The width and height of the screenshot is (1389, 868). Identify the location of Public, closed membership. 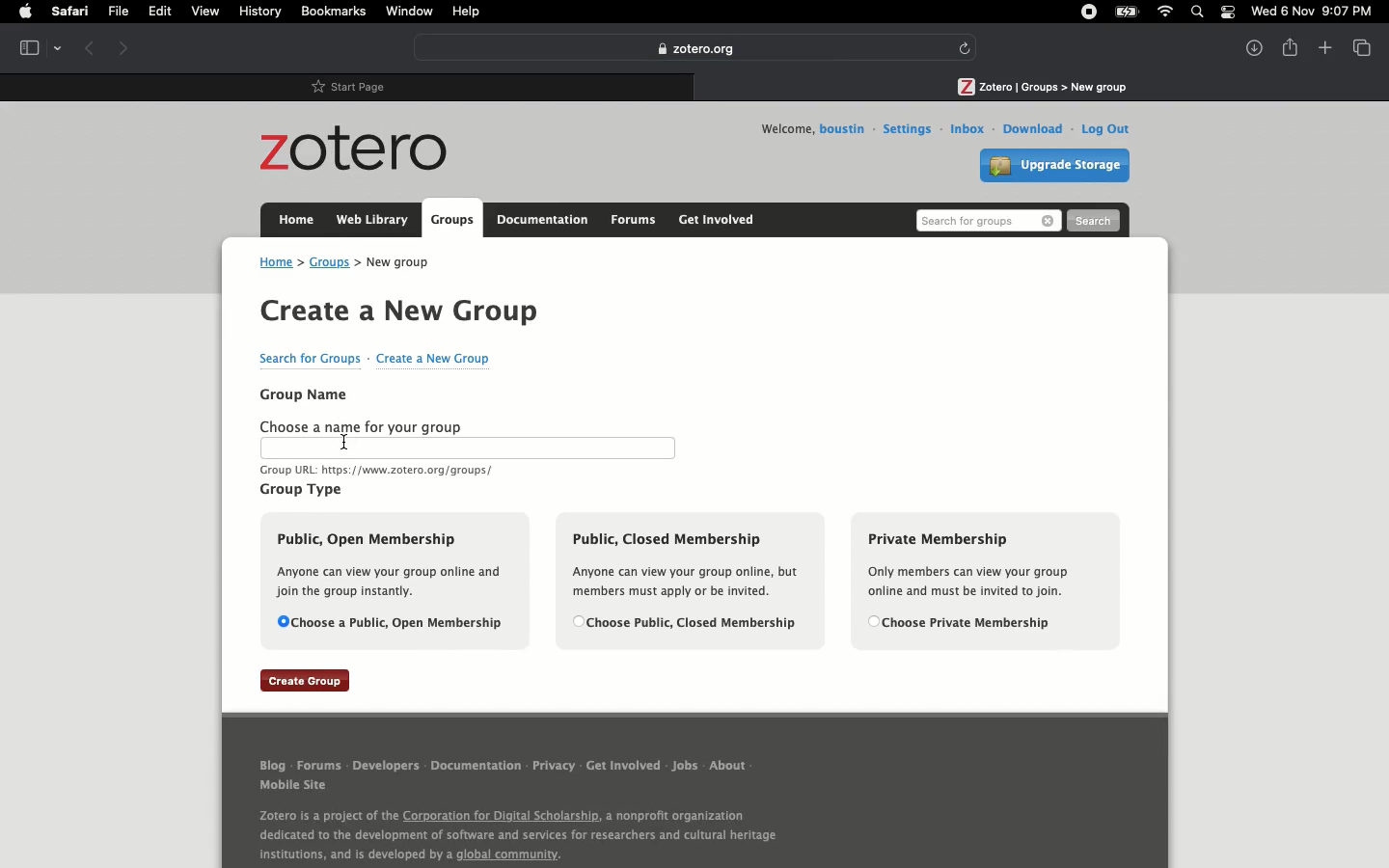
(689, 581).